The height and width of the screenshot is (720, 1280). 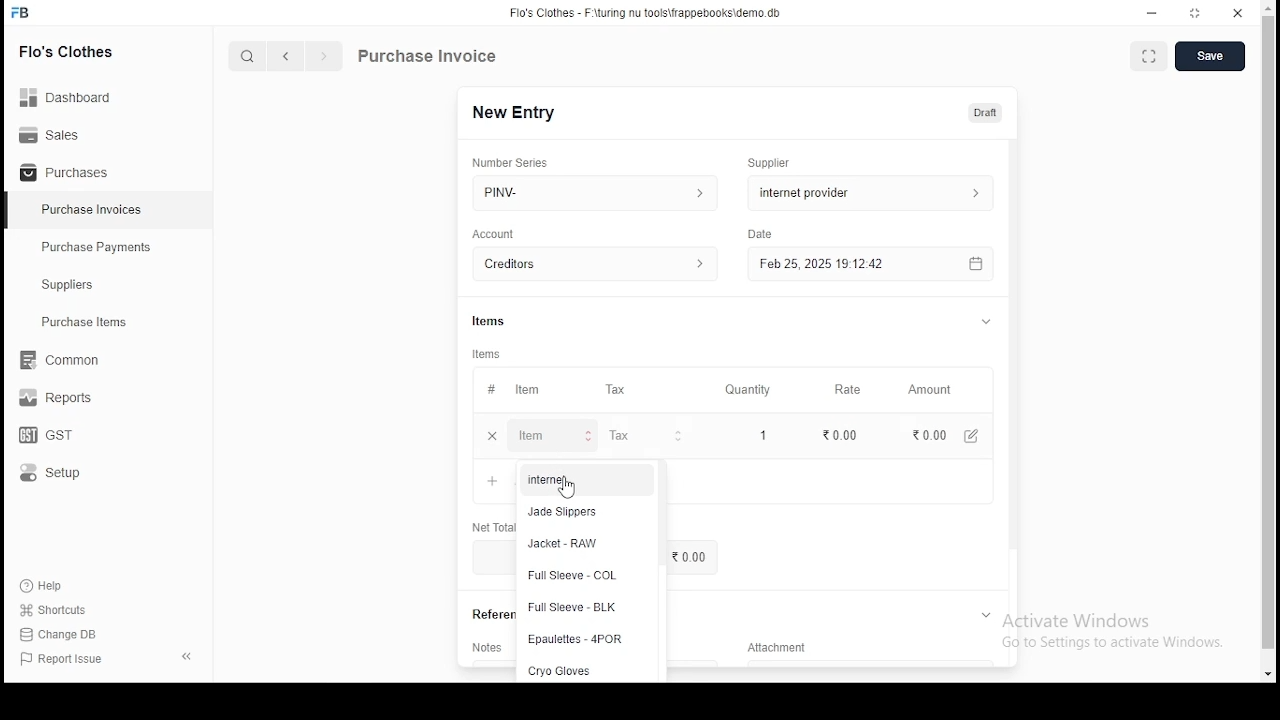 I want to click on create, so click(x=1216, y=55).